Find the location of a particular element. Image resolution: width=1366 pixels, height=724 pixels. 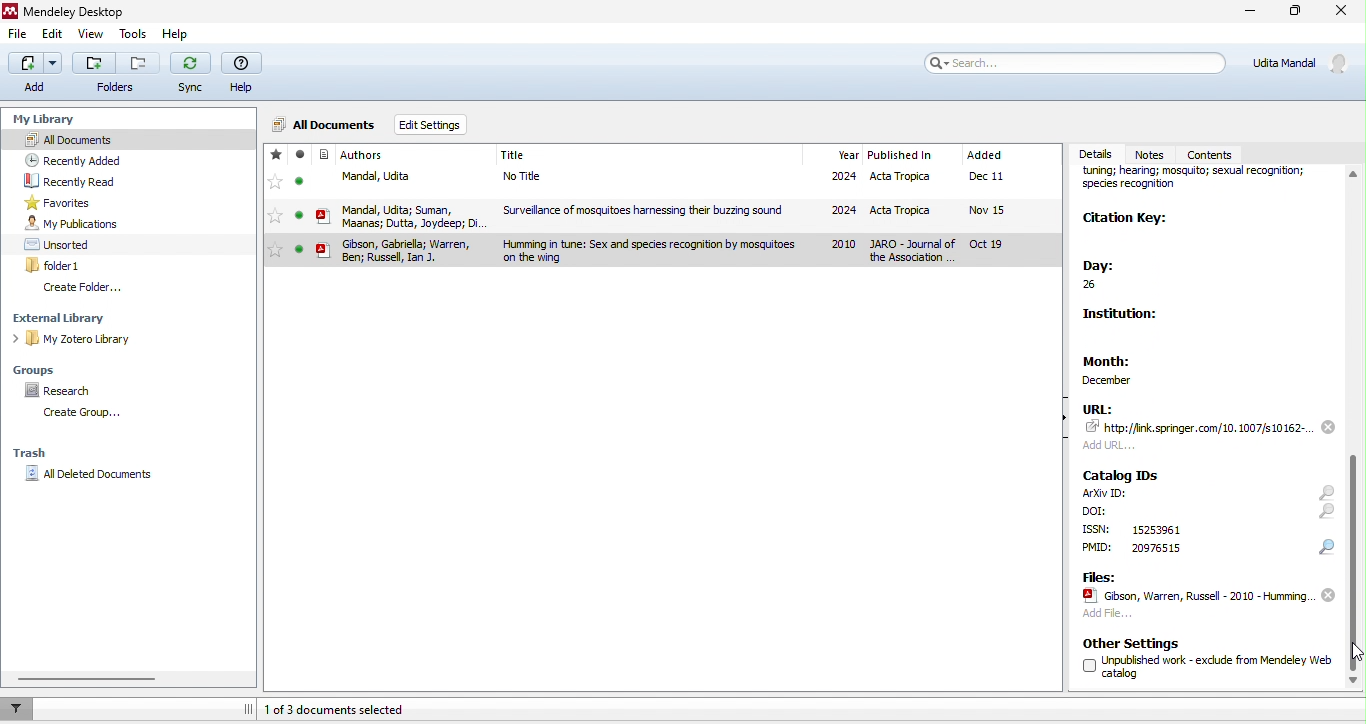

icons is located at coordinates (1327, 520).